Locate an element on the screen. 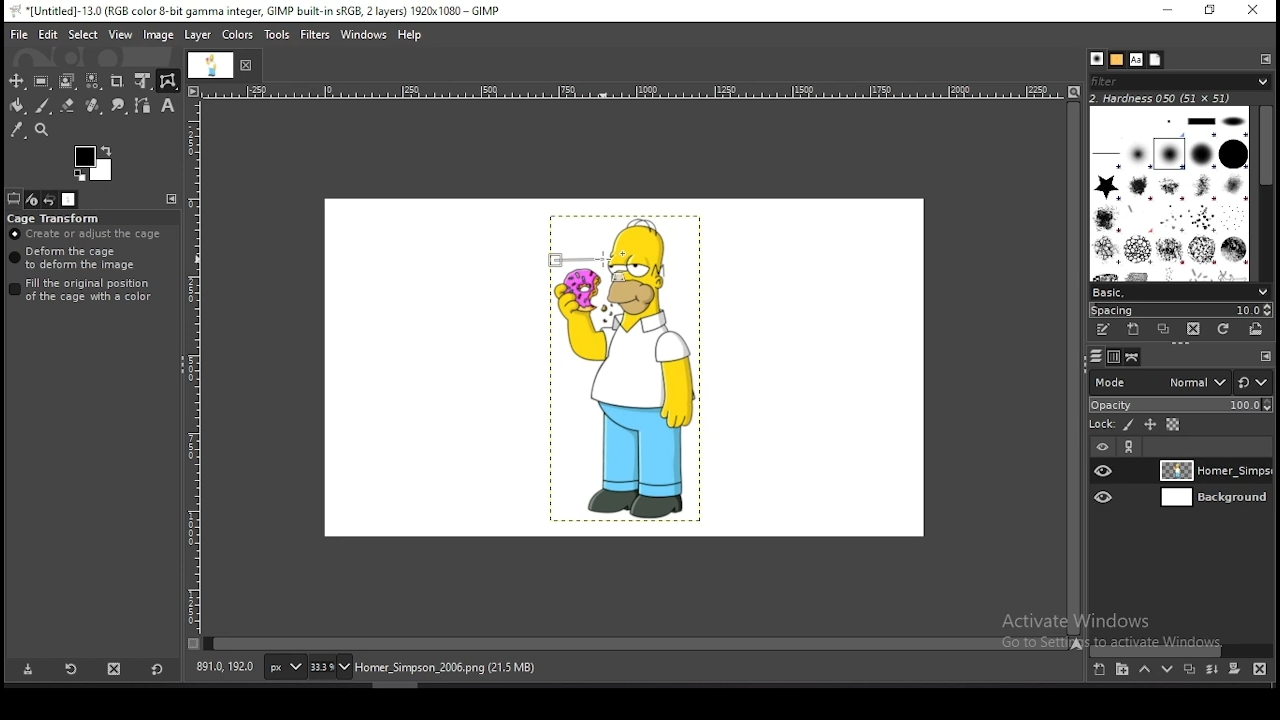 The width and height of the screenshot is (1280, 720). fonts is located at coordinates (1135, 59).